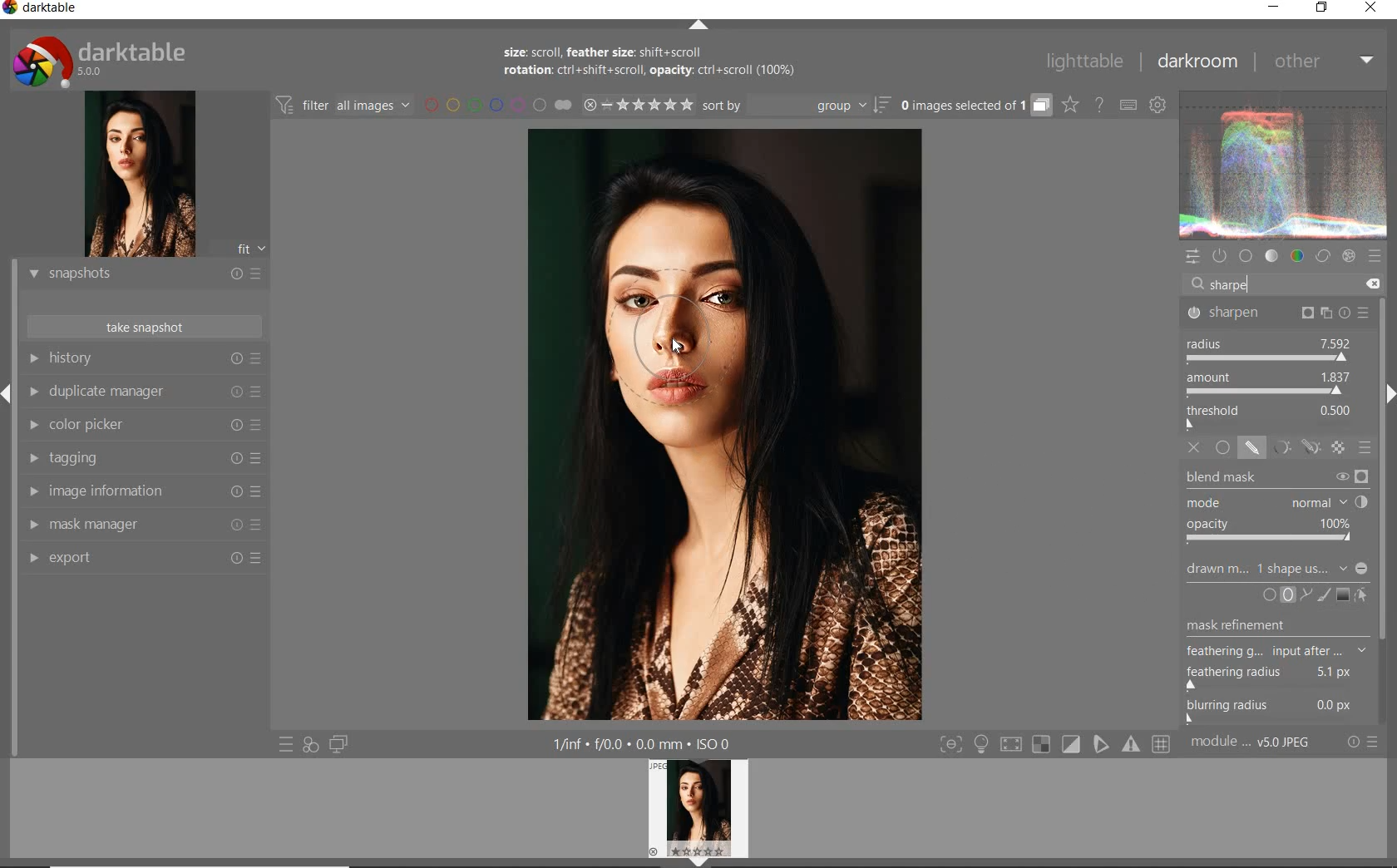 This screenshot has width=1397, height=868. I want to click on OPACITY, so click(1275, 531).